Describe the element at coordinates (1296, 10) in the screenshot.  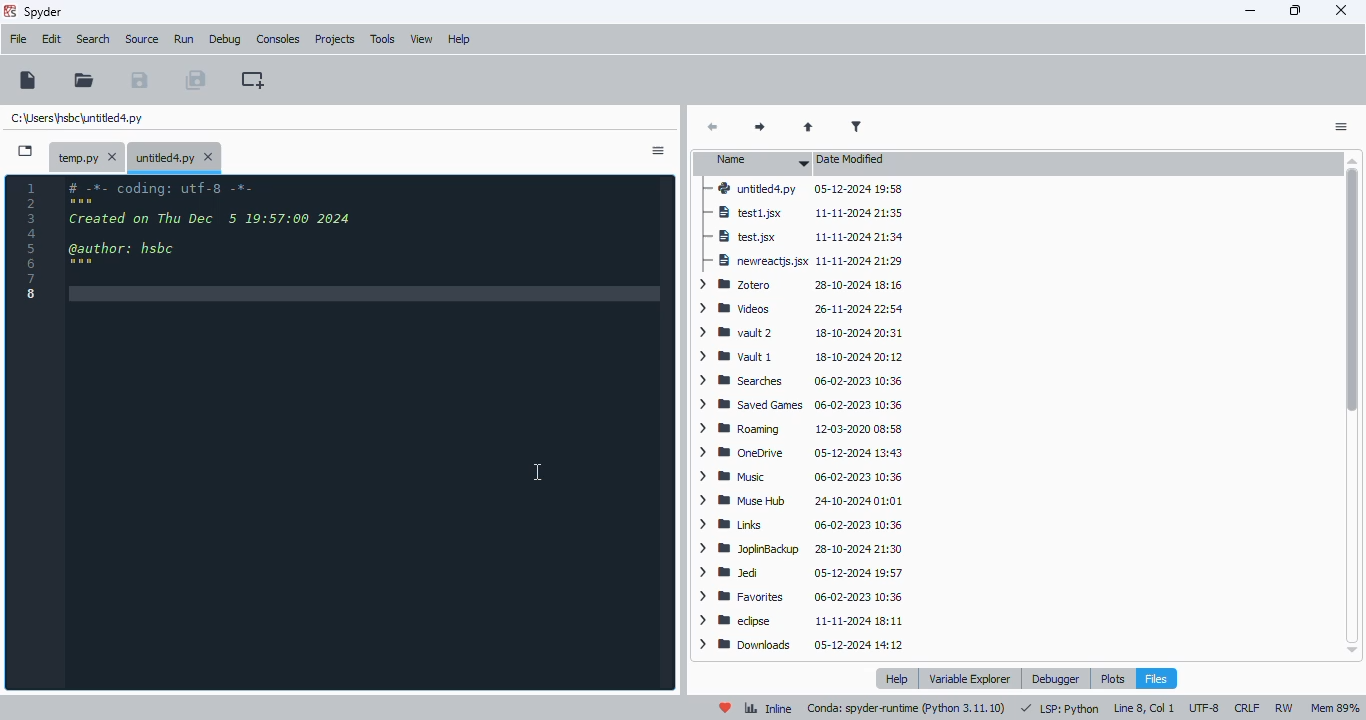
I see `maximize` at that location.